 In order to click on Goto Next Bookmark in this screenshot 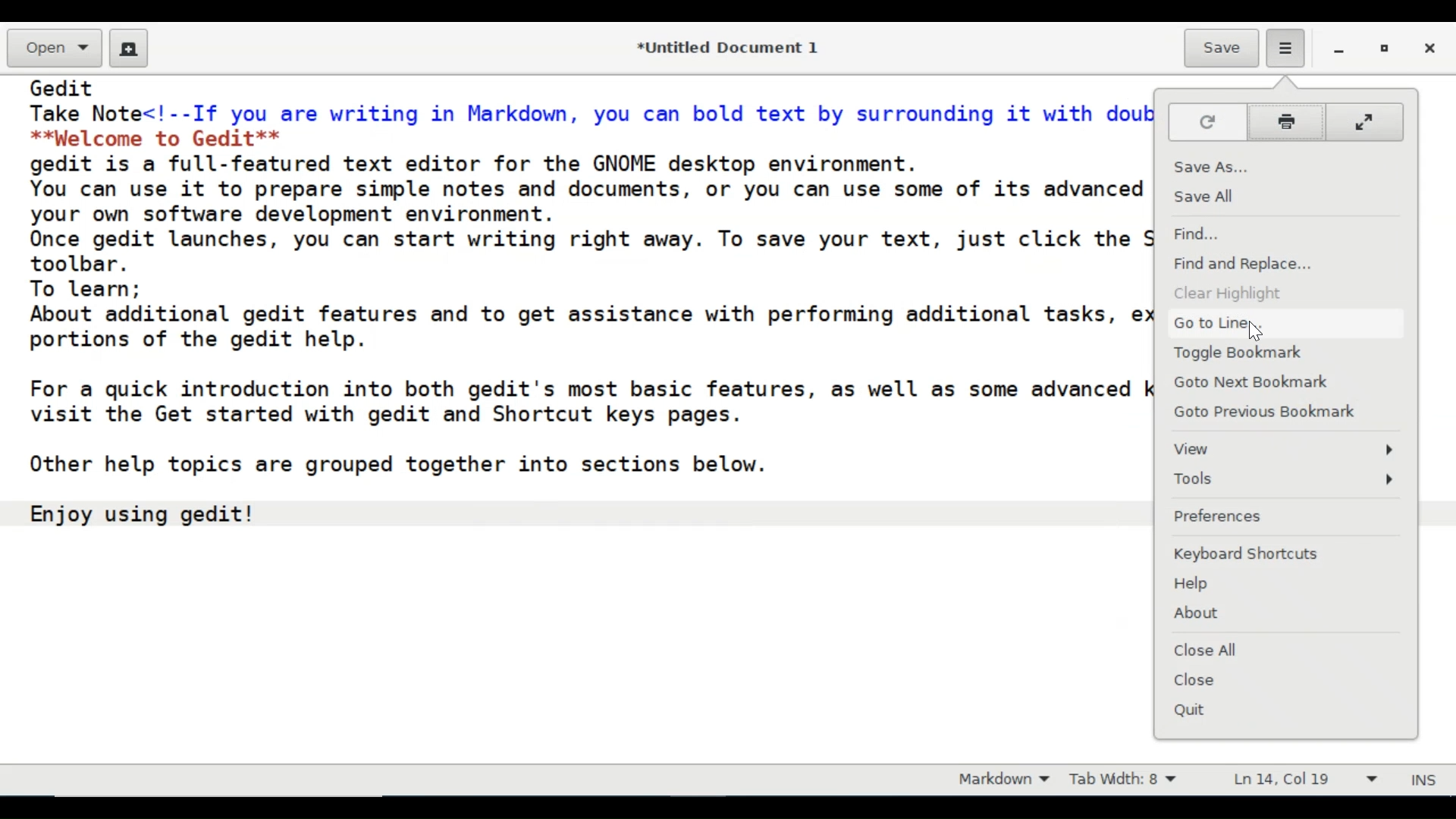, I will do `click(1250, 383)`.